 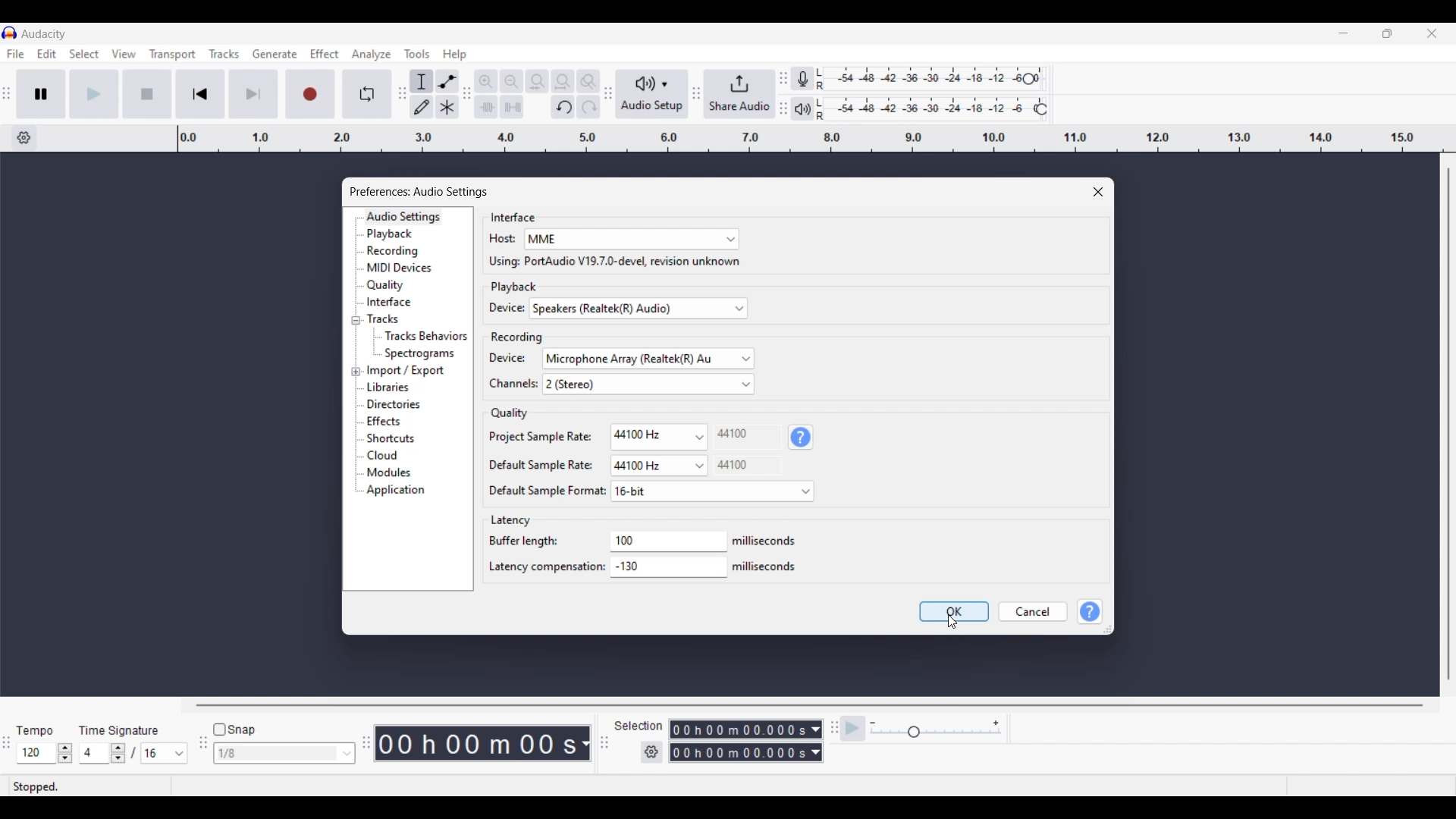 I want to click on Analyze menu, so click(x=372, y=54).